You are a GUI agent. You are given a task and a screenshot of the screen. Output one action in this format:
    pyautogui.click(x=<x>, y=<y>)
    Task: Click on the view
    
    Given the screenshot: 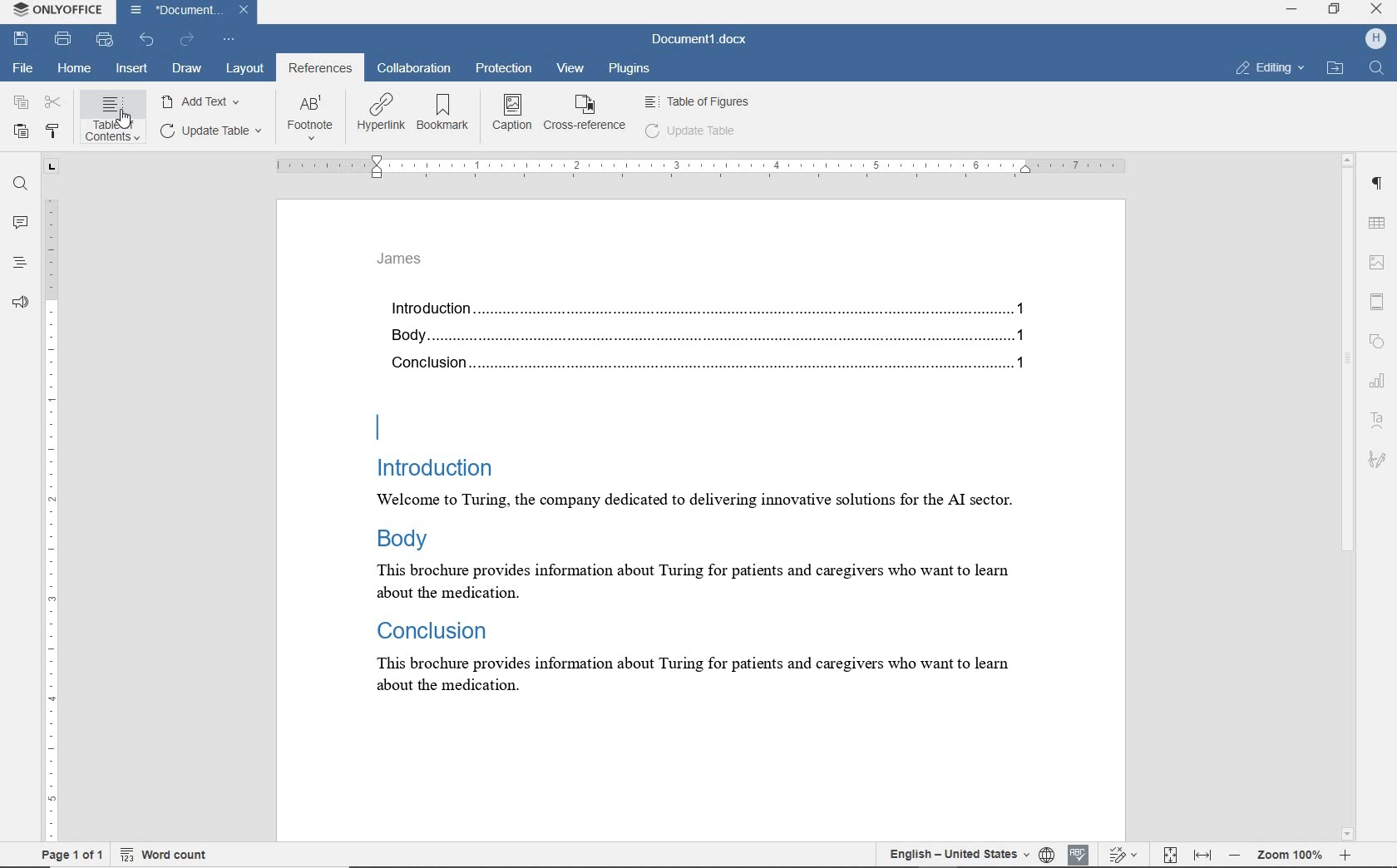 What is the action you would take?
    pyautogui.click(x=571, y=68)
    